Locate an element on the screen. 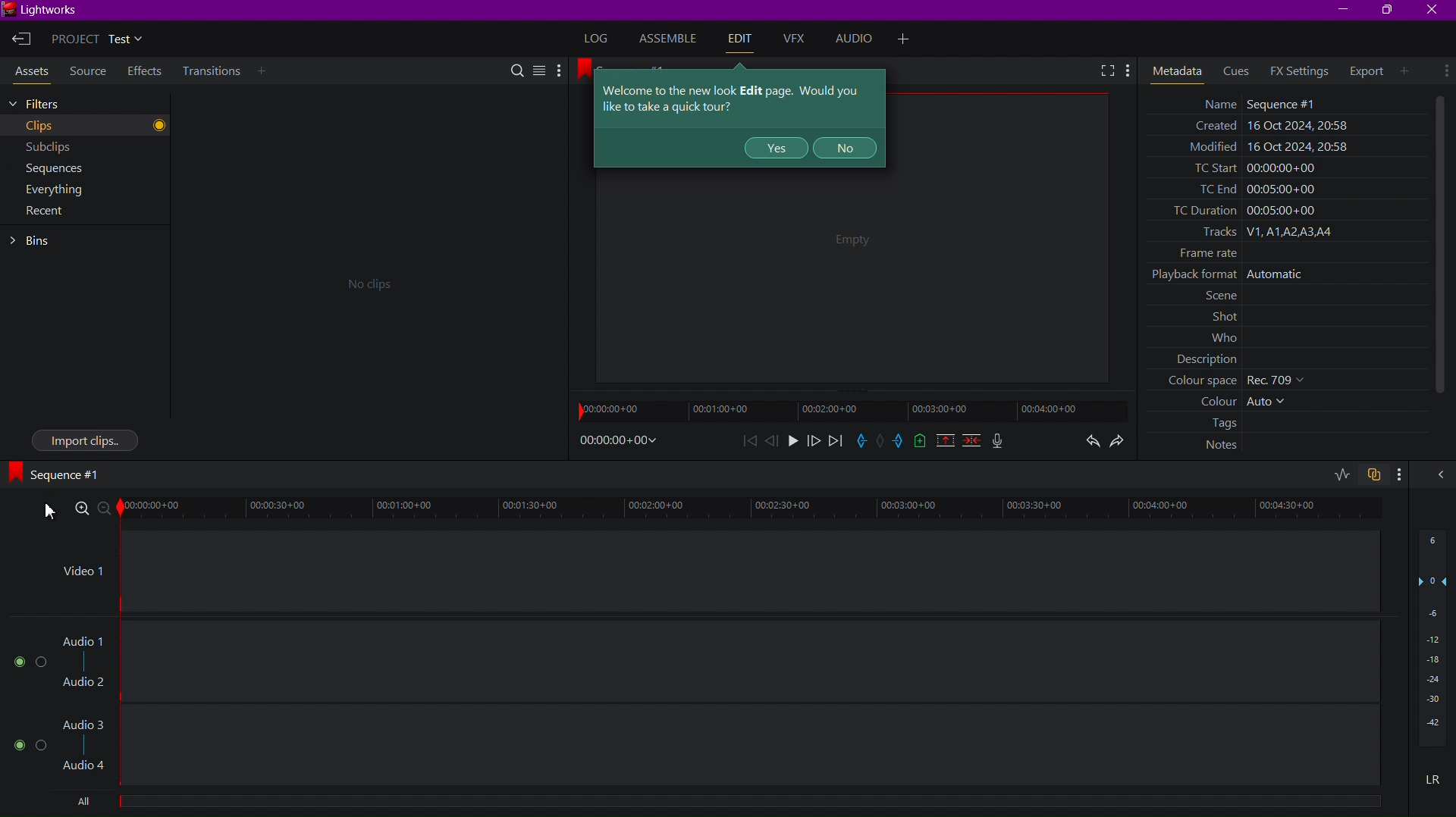 This screenshot has height=817, width=1456.  is located at coordinates (753, 797).